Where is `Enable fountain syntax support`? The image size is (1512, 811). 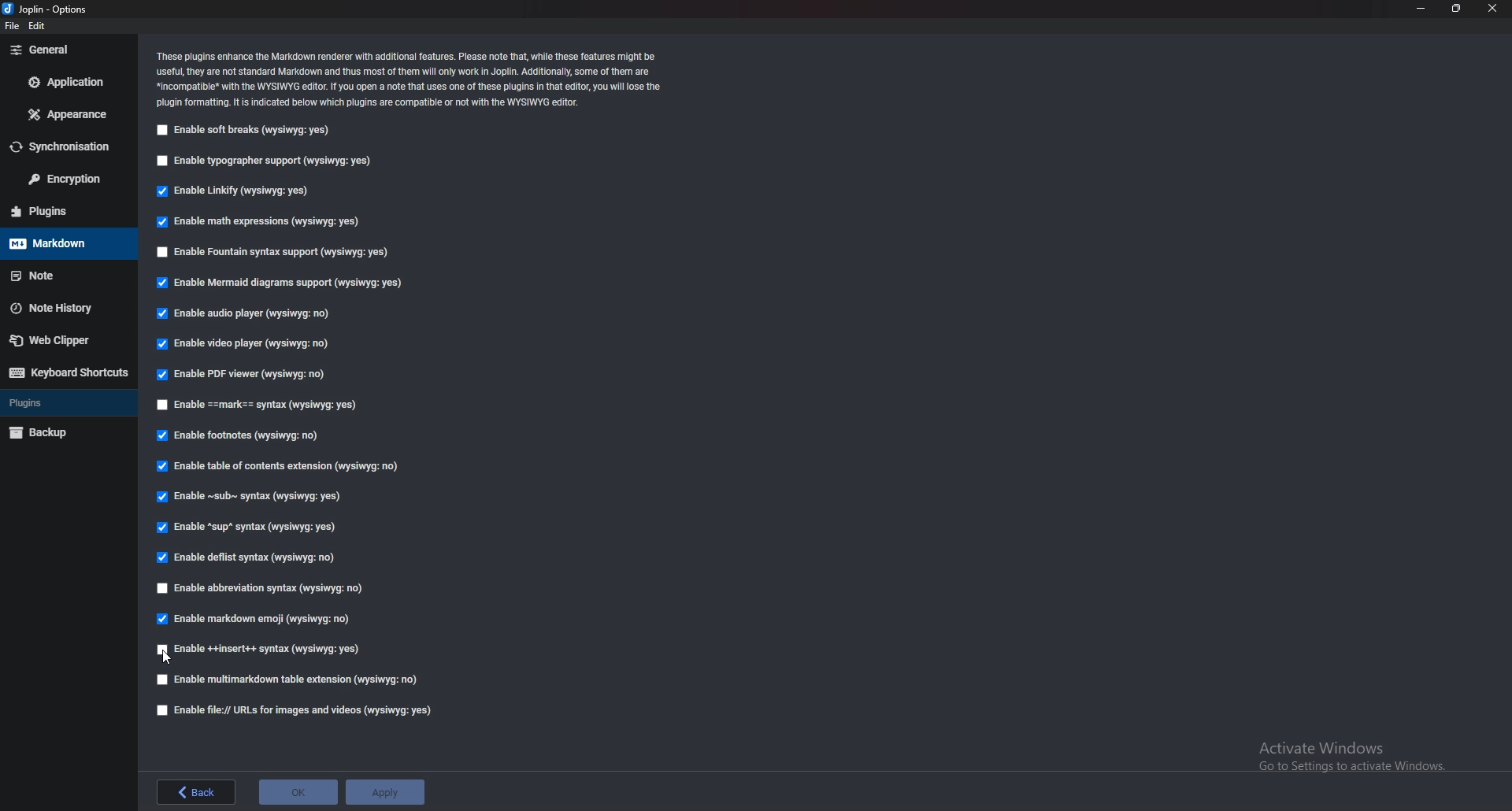
Enable fountain syntax support is located at coordinates (275, 254).